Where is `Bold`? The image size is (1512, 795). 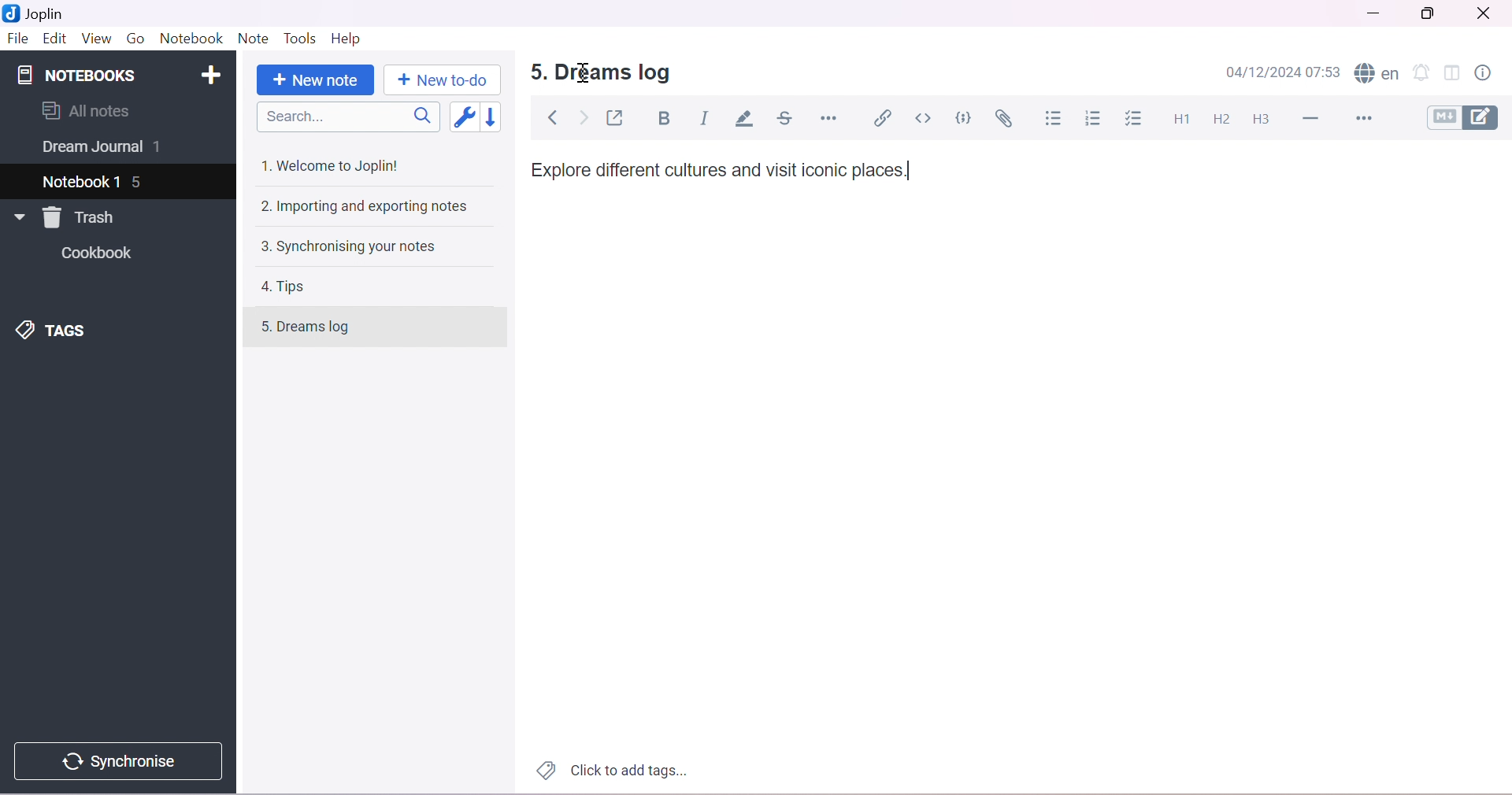 Bold is located at coordinates (669, 120).